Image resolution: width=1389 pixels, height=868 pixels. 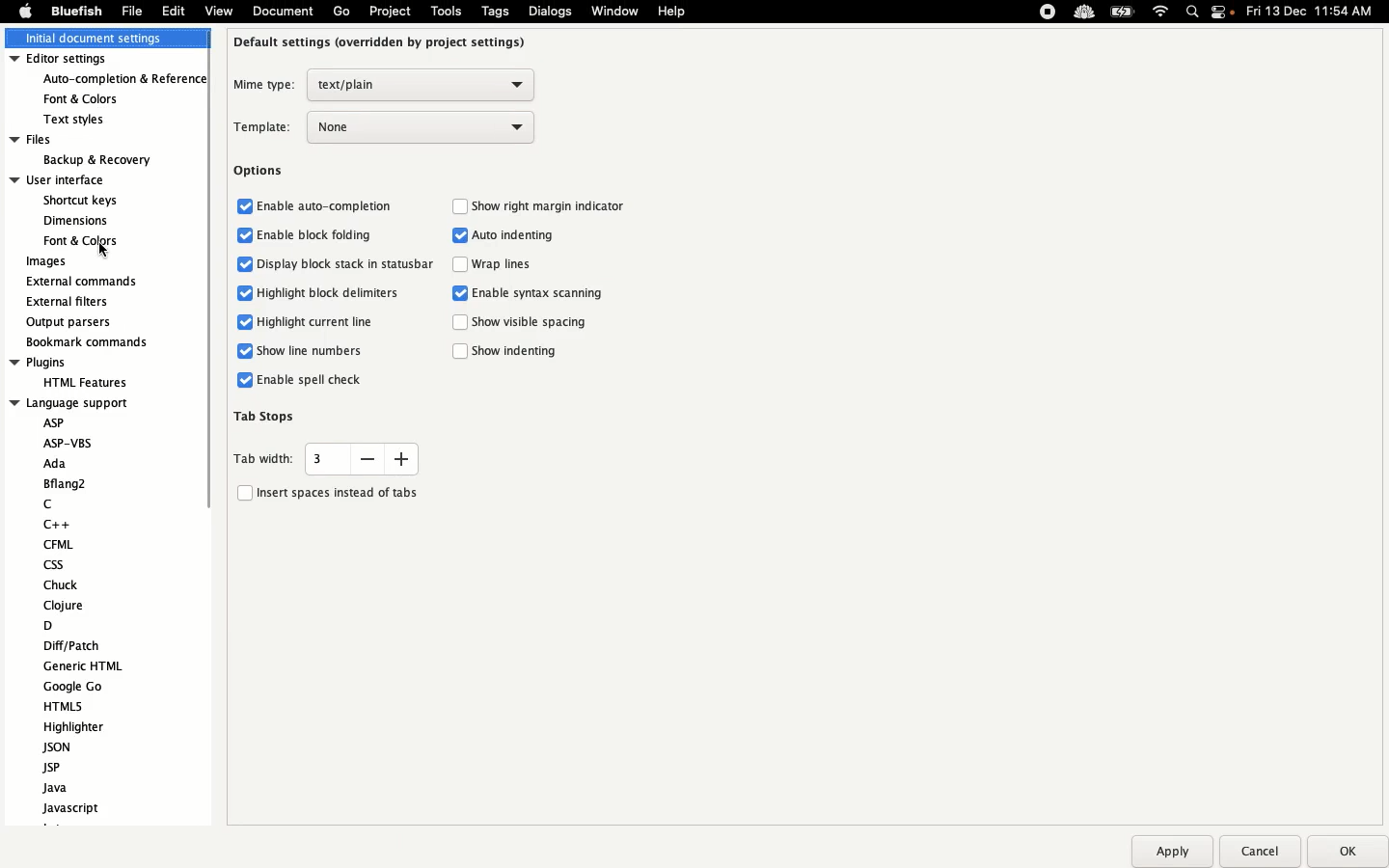 I want to click on Files, so click(x=82, y=139).